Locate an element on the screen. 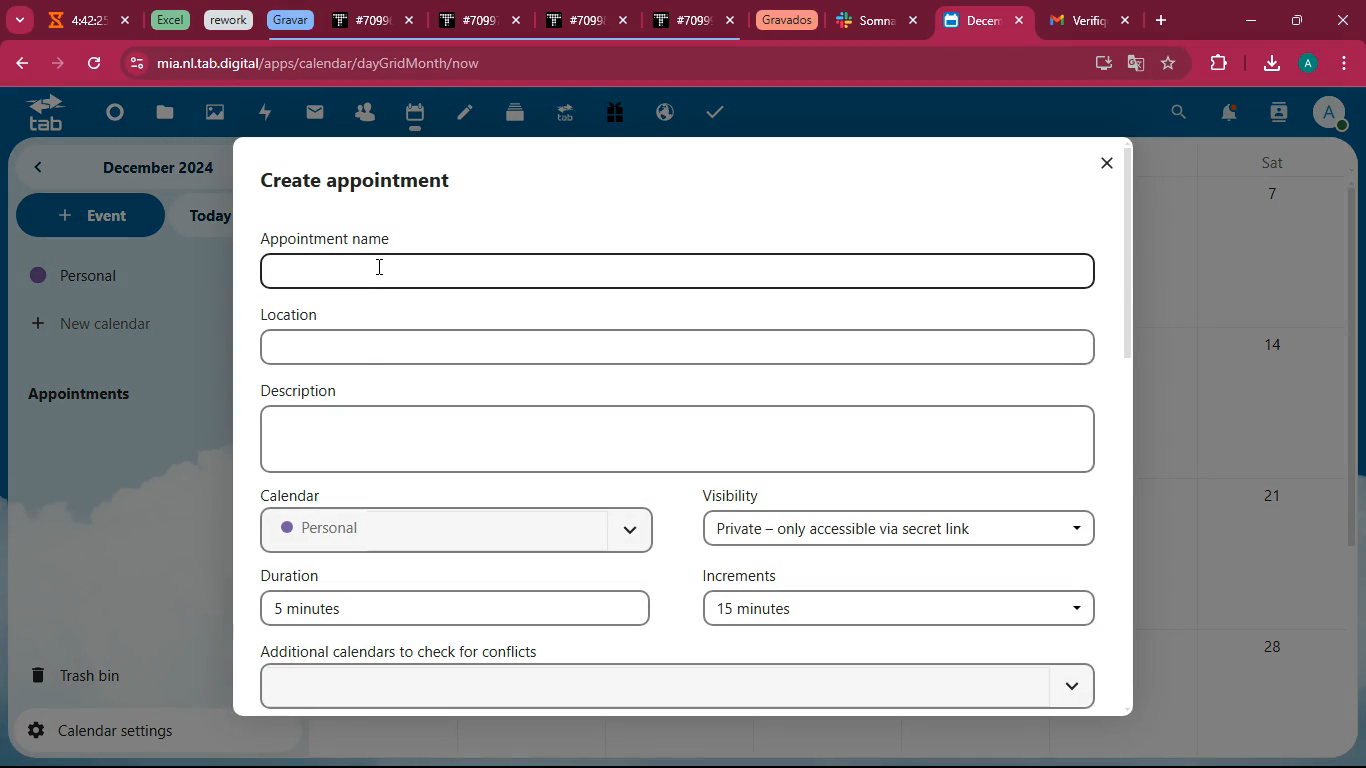 The width and height of the screenshot is (1366, 768). desktop is located at coordinates (1100, 61).